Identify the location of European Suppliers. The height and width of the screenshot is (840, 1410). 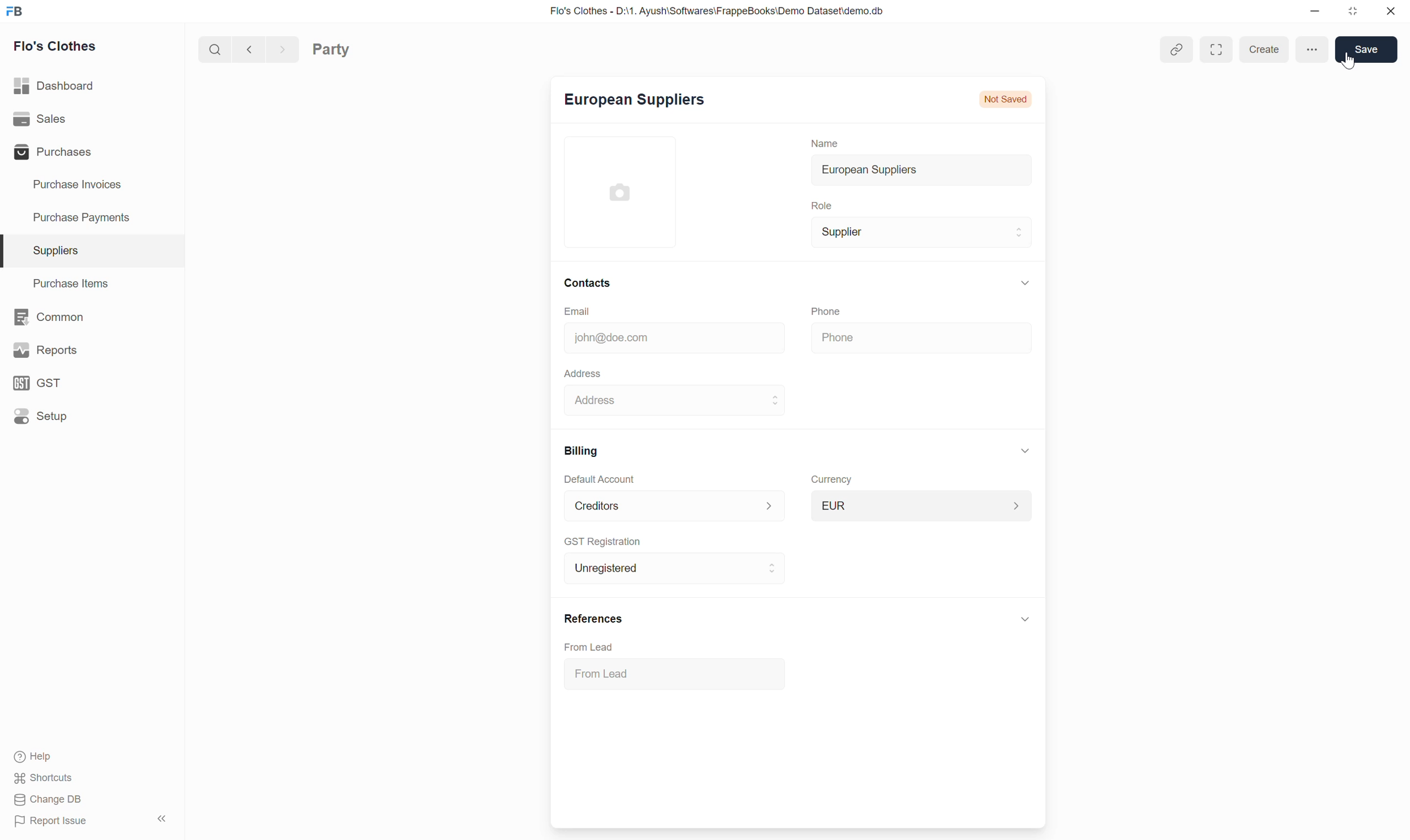
(860, 169).